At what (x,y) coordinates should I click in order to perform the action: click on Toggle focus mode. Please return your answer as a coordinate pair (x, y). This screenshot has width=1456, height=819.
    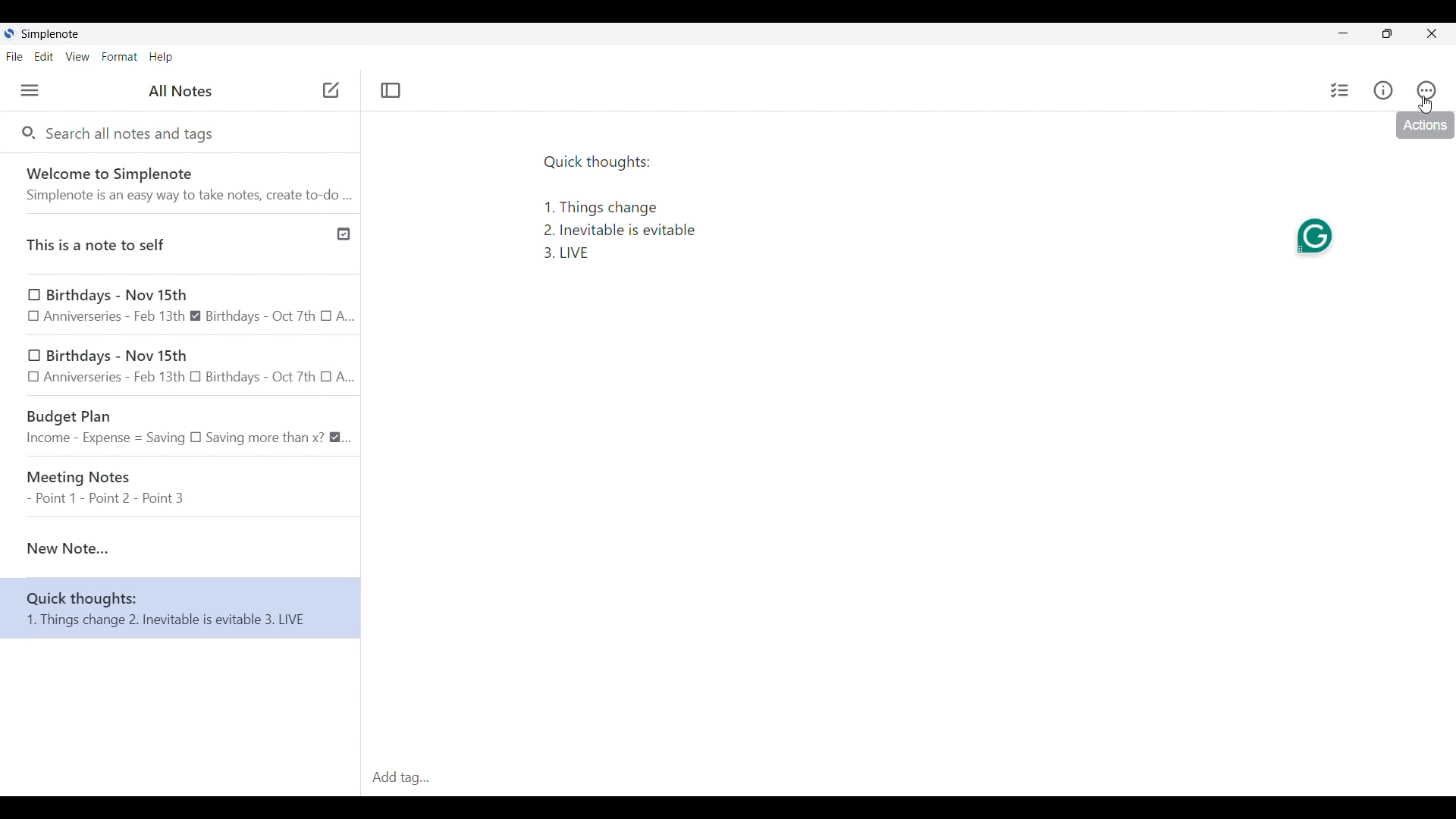
    Looking at the image, I should click on (391, 90).